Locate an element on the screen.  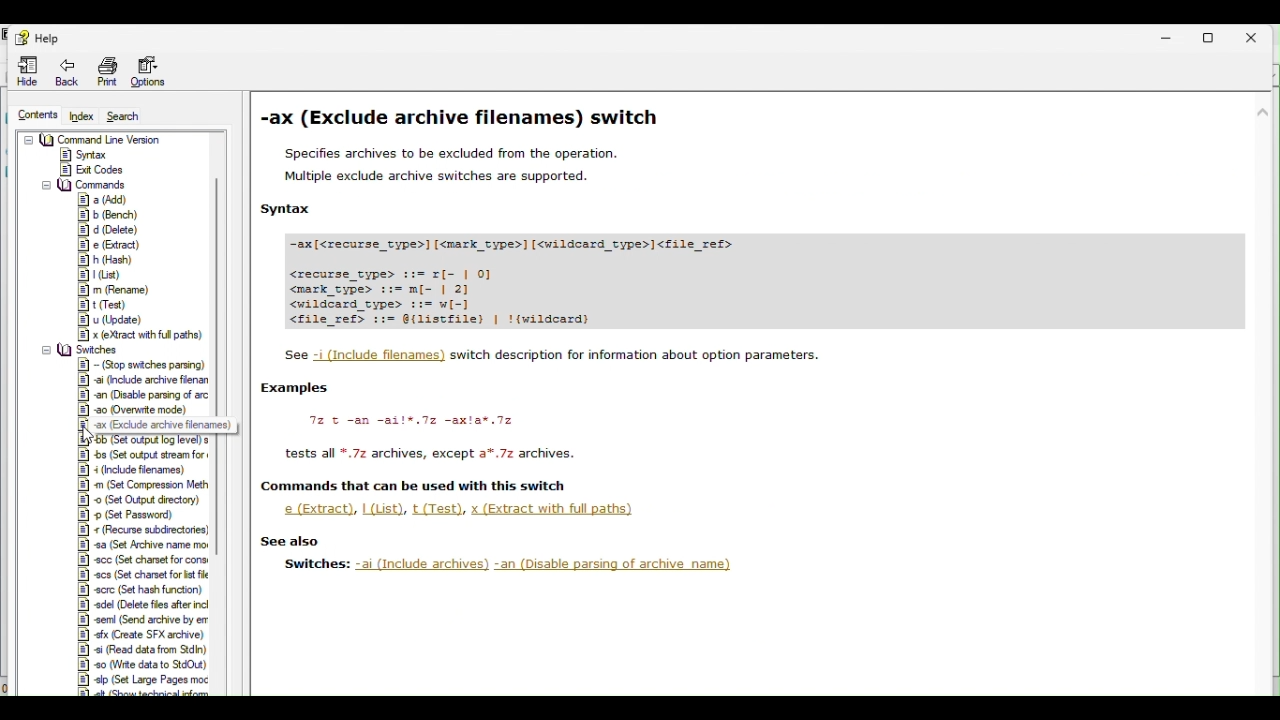
t (Test), is located at coordinates (439, 509).